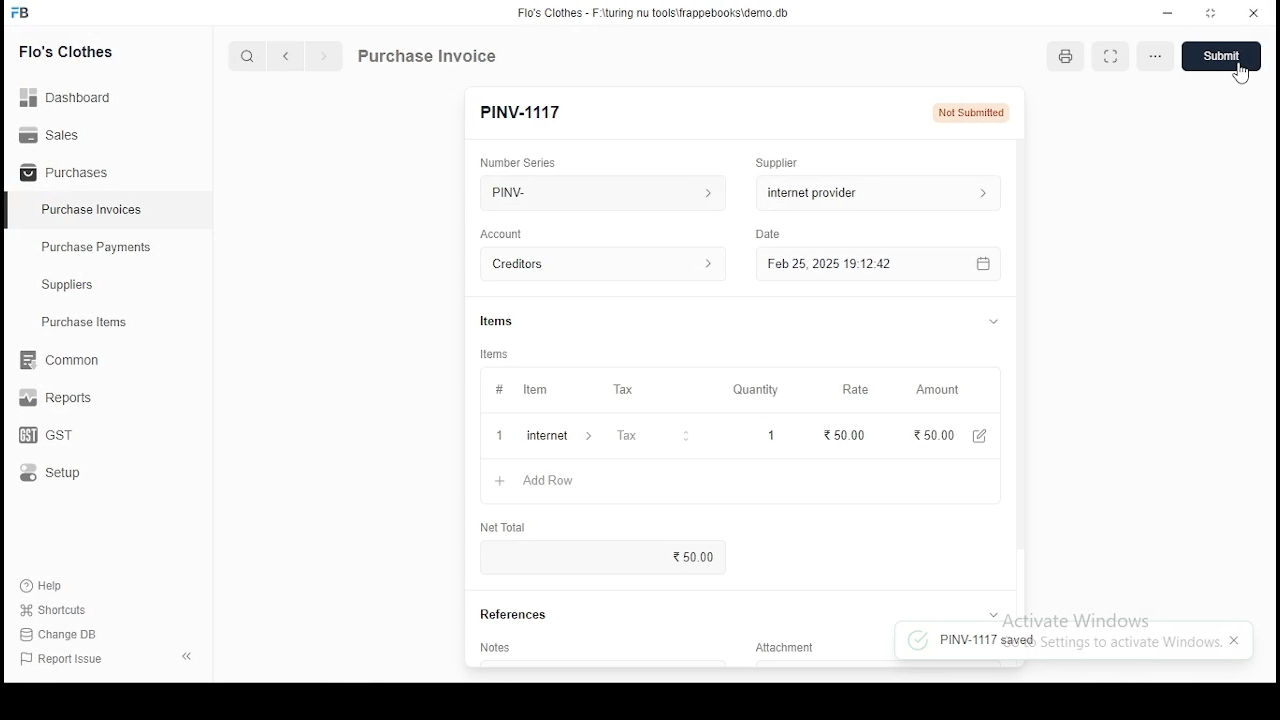  I want to click on amount, so click(936, 390).